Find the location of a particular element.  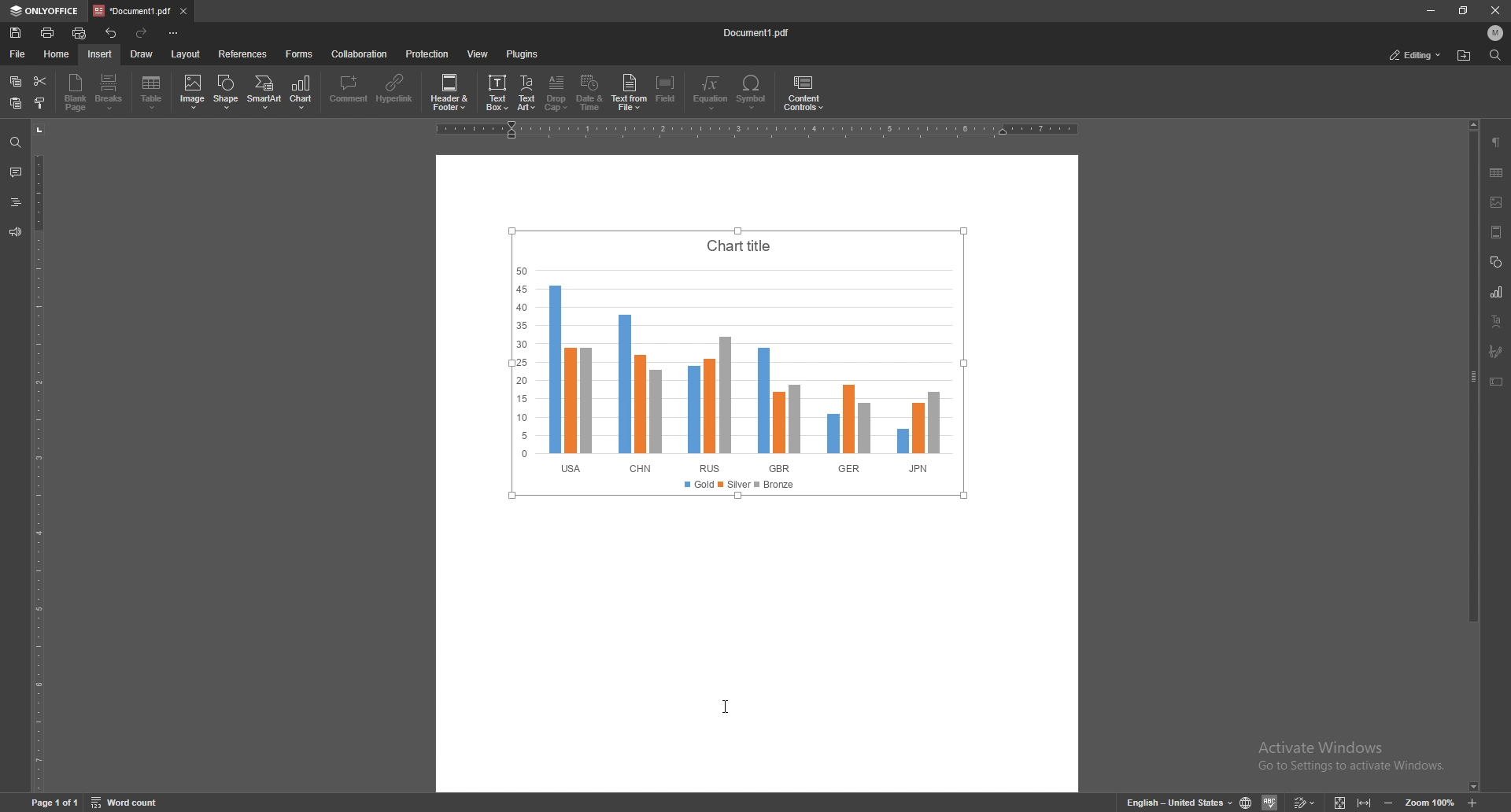

shapes is located at coordinates (1497, 262).